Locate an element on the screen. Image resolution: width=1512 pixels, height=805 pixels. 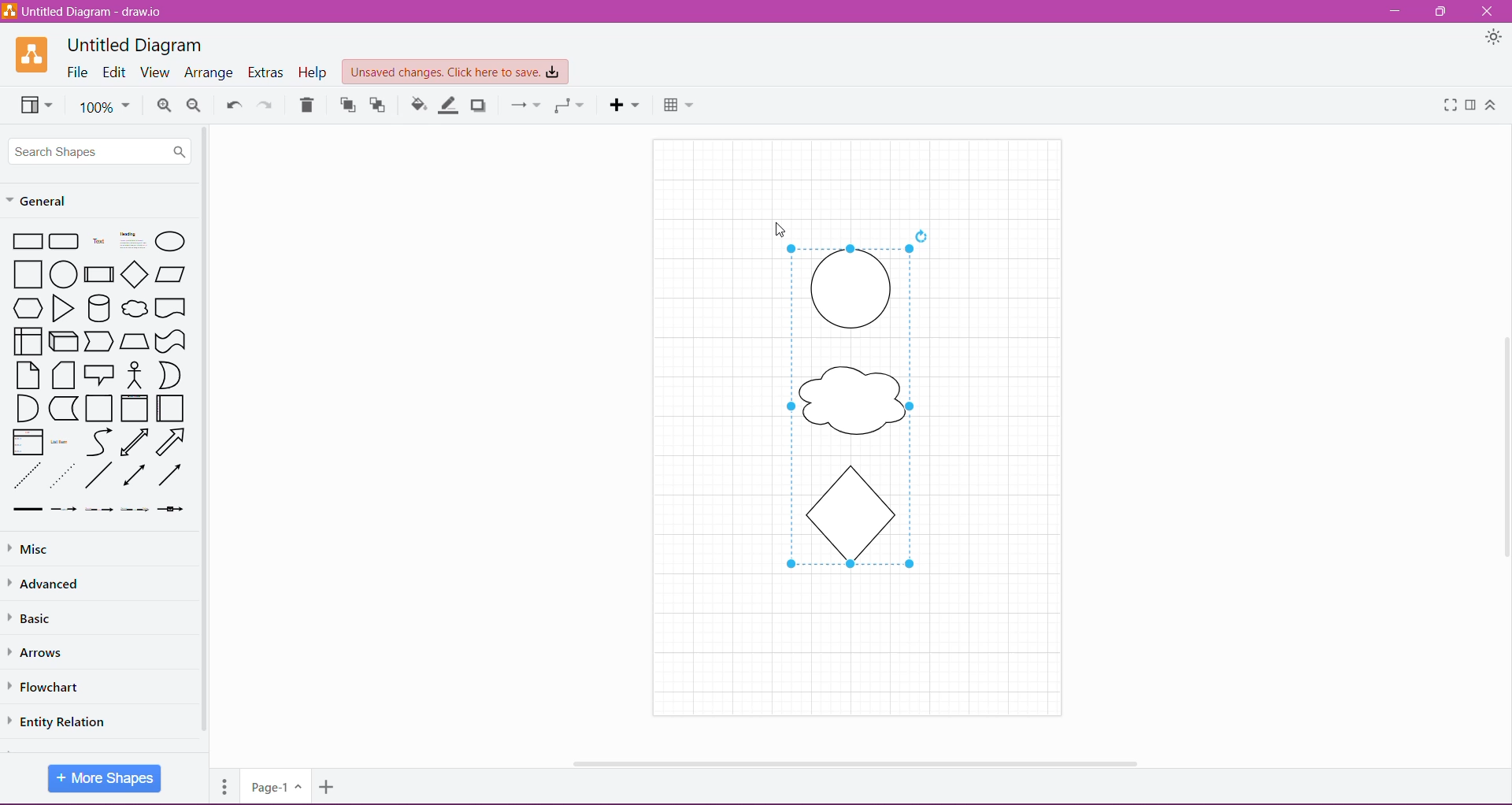
Edit is located at coordinates (115, 73).